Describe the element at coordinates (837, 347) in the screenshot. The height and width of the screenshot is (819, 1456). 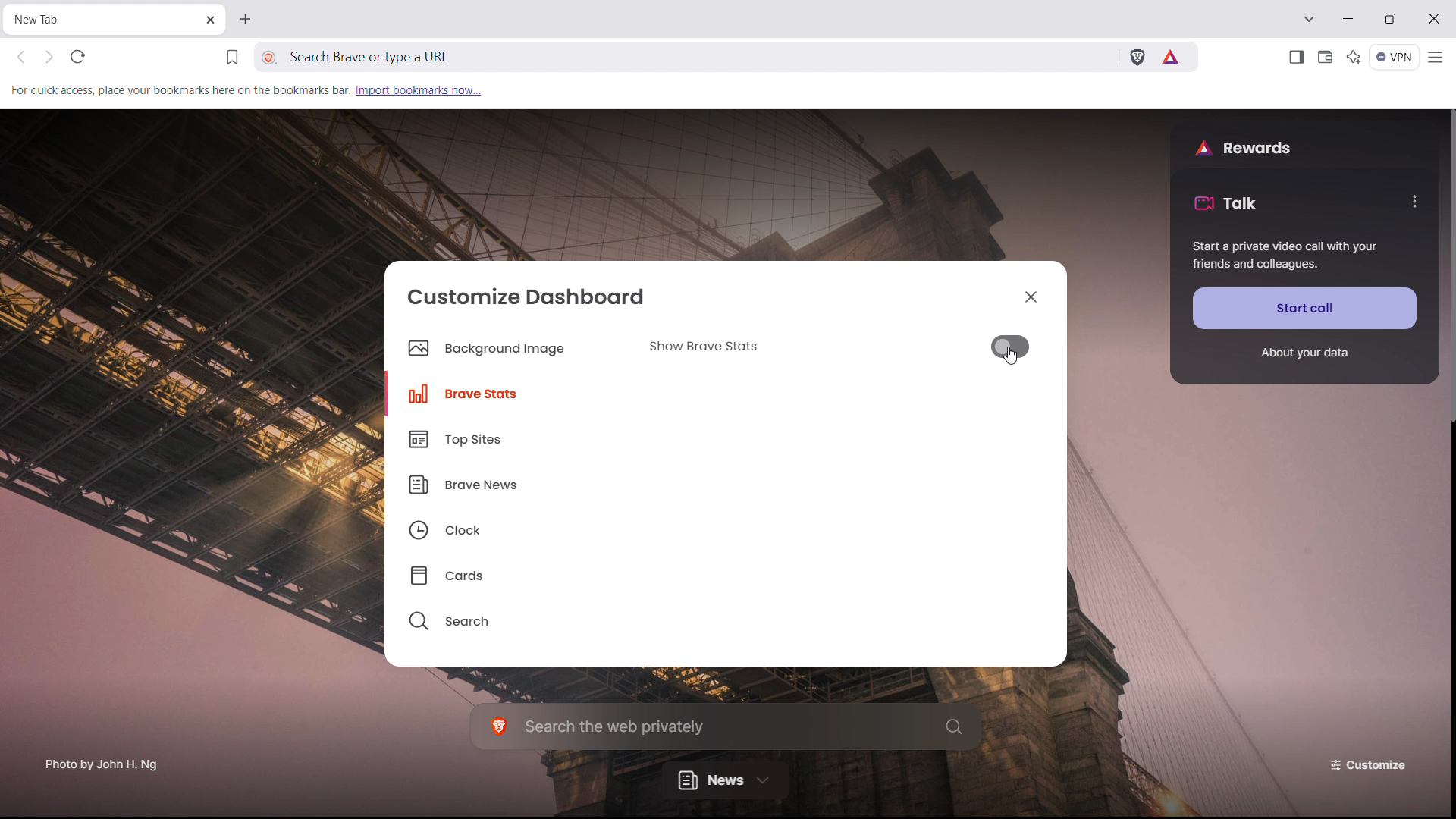
I see `show brave stats` at that location.